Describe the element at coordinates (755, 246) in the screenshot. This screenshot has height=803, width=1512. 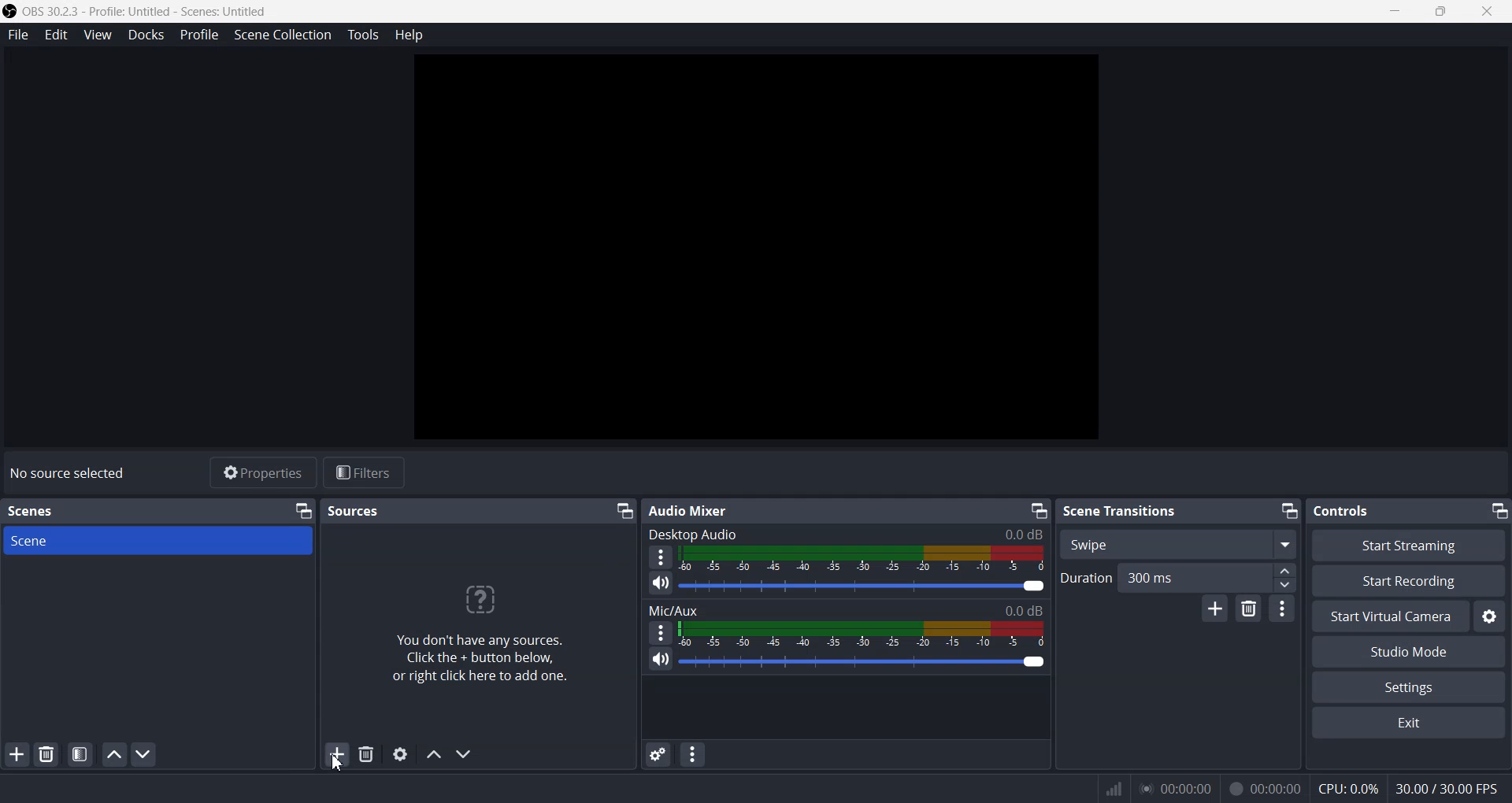
I see `Preview windoe` at that location.